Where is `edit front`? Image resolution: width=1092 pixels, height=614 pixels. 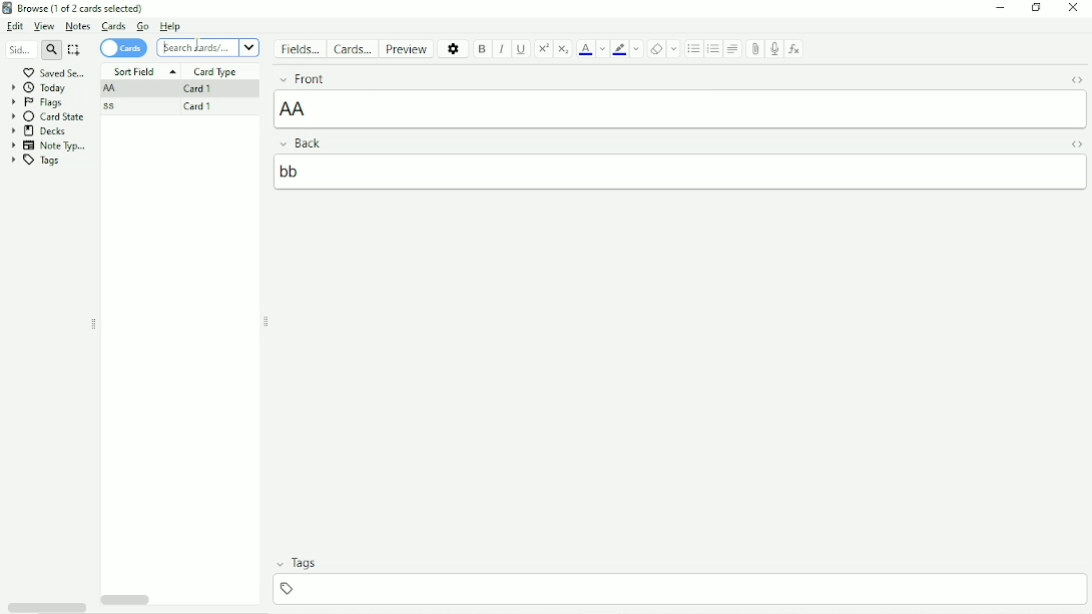 edit front is located at coordinates (682, 108).